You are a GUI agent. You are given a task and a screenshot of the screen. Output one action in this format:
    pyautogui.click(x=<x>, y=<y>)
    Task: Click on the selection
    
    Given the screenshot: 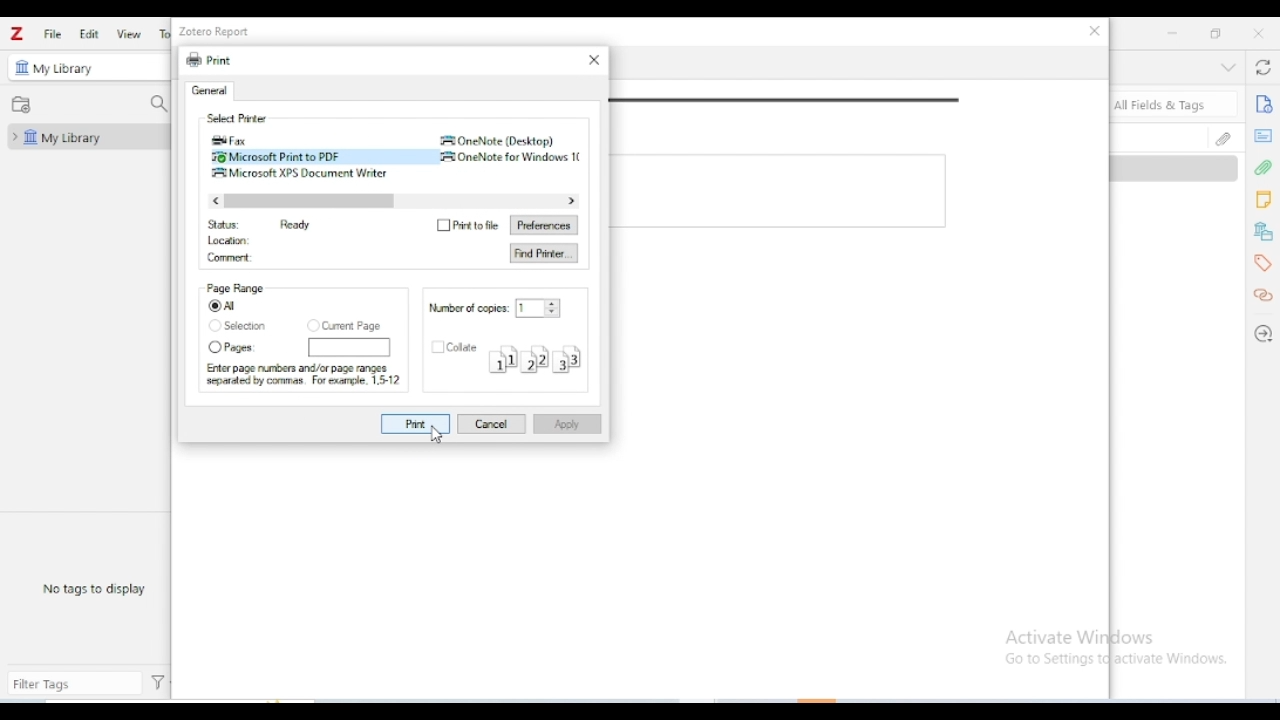 What is the action you would take?
    pyautogui.click(x=246, y=325)
    